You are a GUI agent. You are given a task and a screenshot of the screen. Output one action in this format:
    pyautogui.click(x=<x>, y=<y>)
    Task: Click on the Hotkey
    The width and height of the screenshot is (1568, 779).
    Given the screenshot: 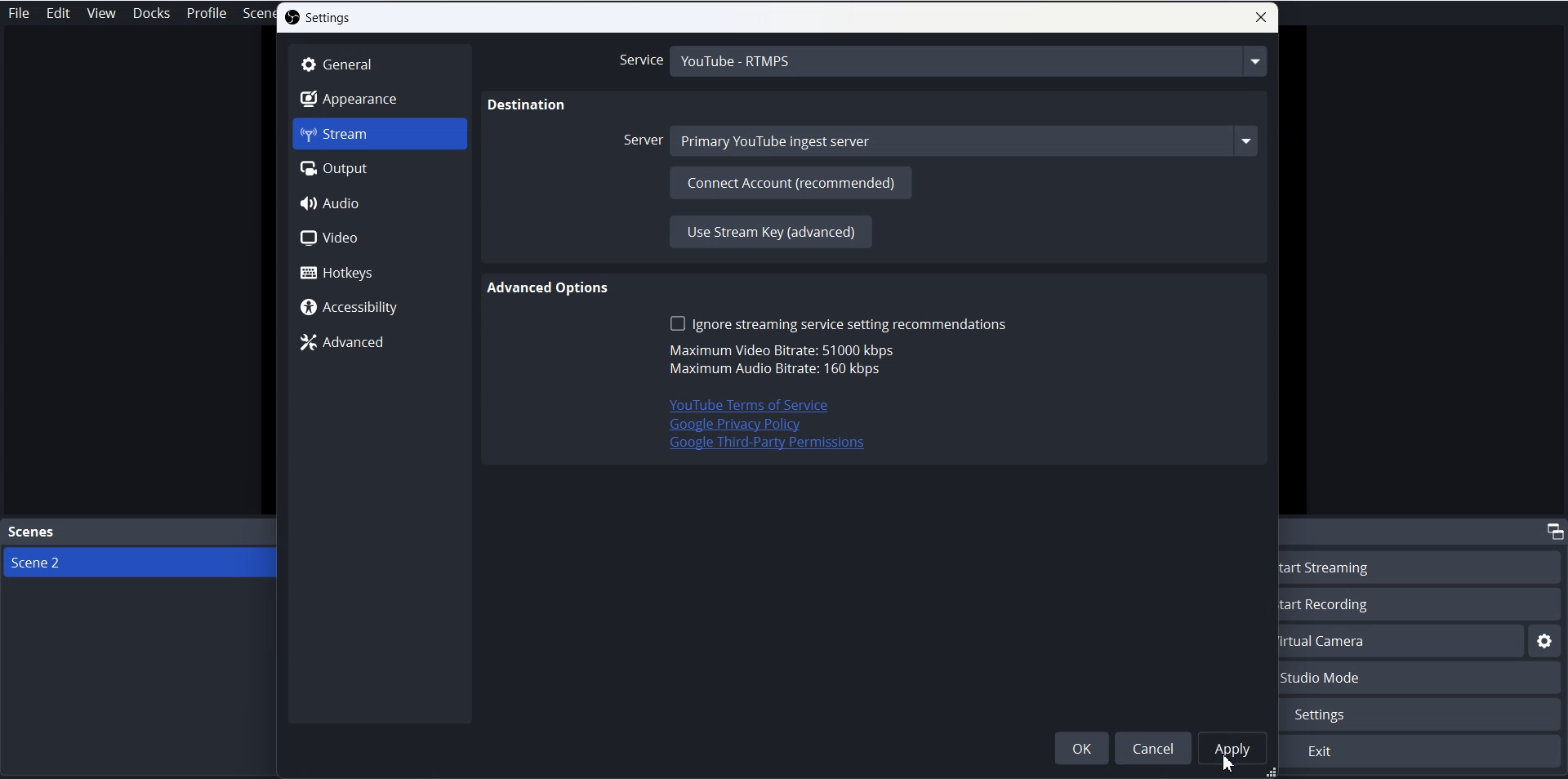 What is the action you would take?
    pyautogui.click(x=379, y=272)
    